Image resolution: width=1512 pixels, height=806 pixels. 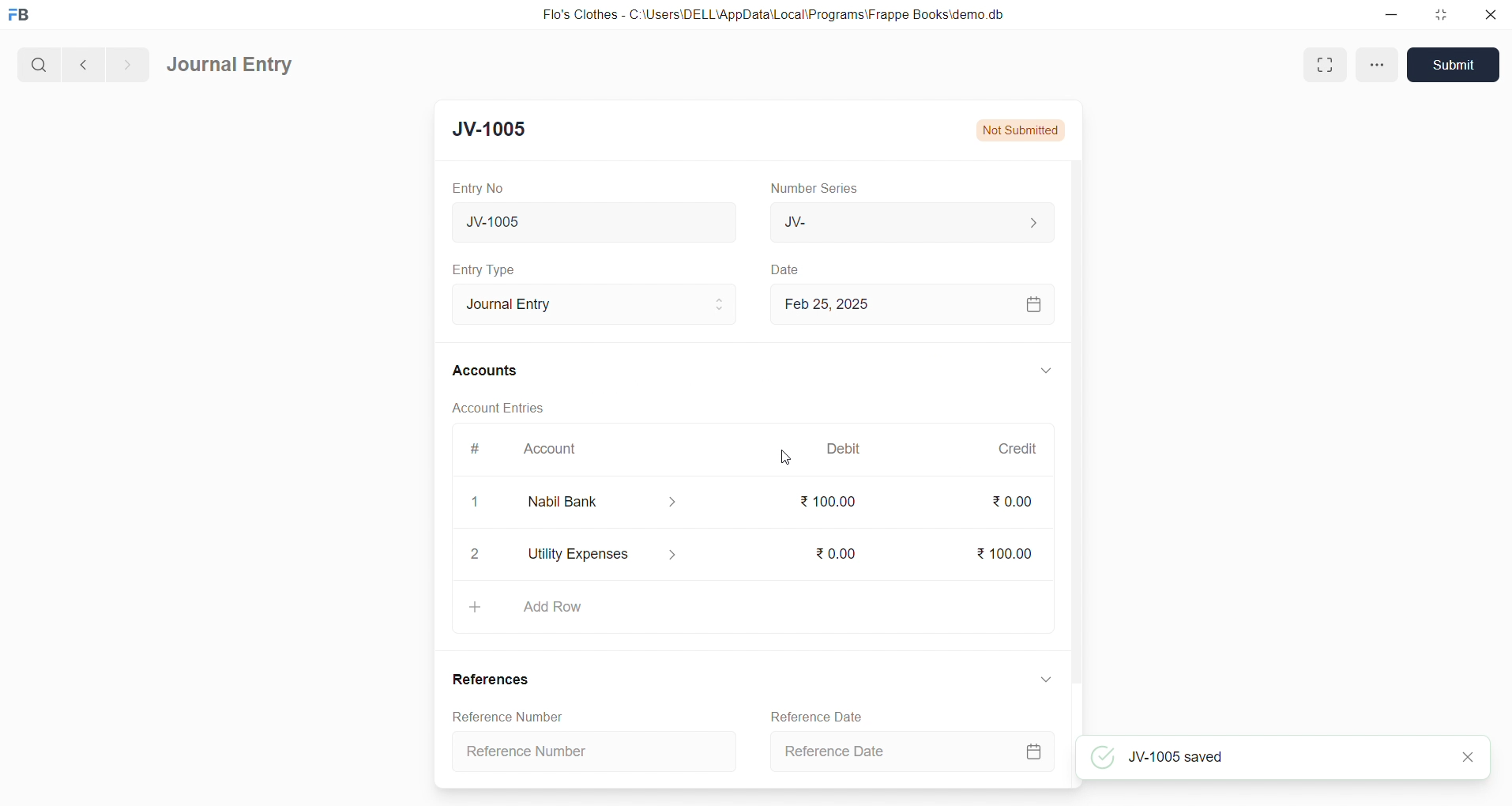 I want to click on Account Entries, so click(x=490, y=406).